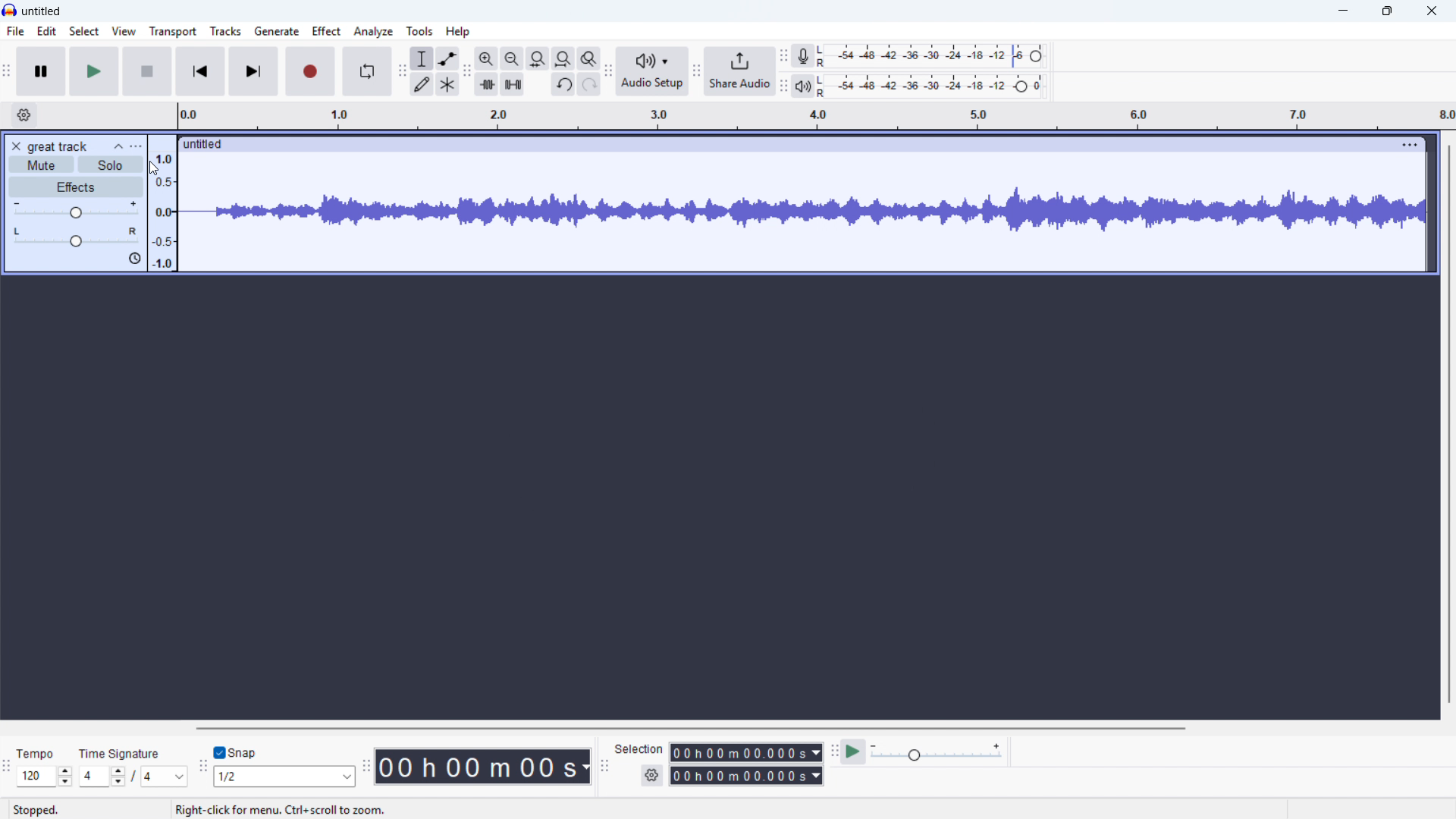 The height and width of the screenshot is (819, 1456). I want to click on Timeline settings , so click(24, 116).